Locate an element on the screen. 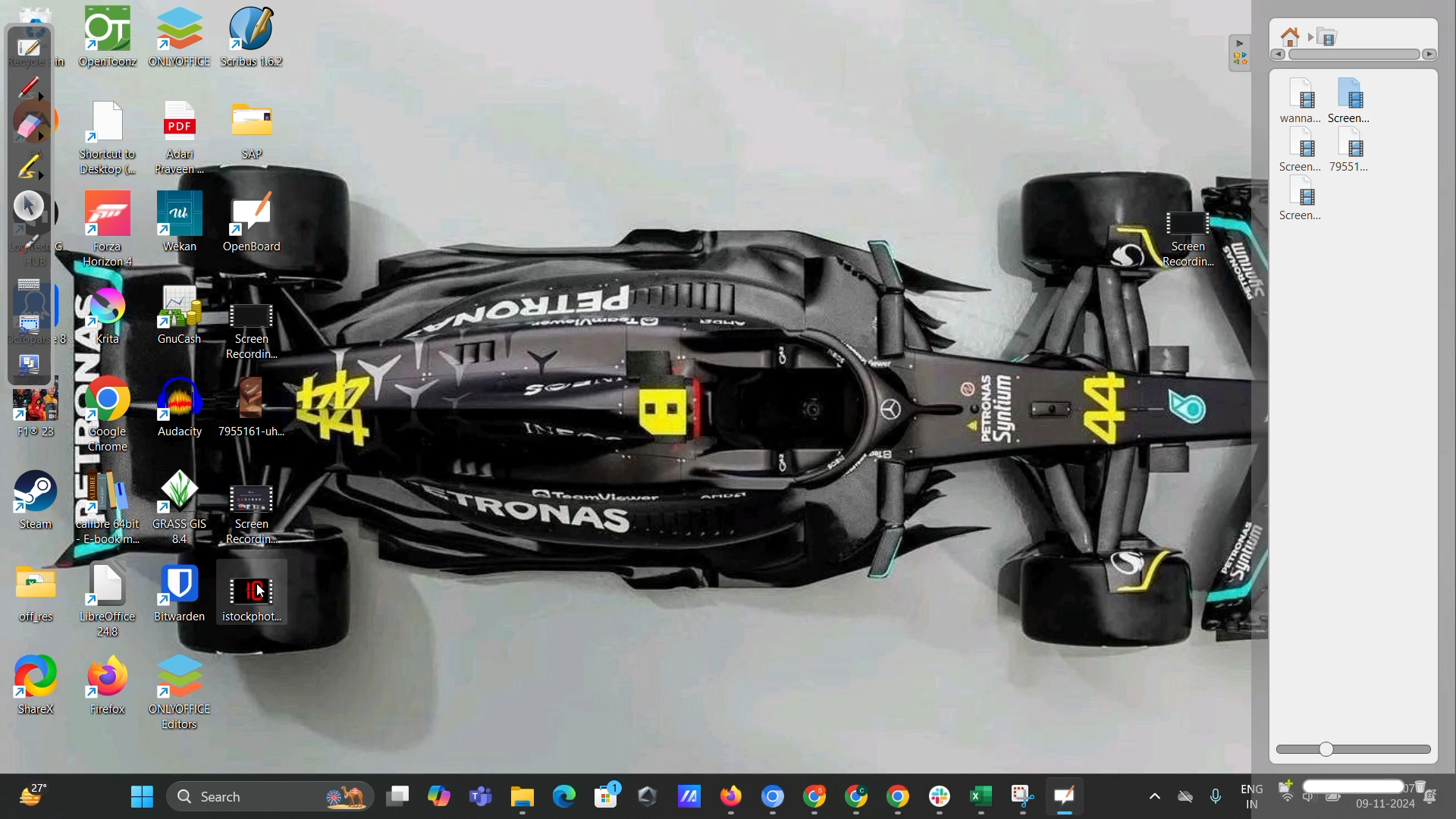 The height and width of the screenshot is (819, 1456). minimized slack is located at coordinates (941, 798).